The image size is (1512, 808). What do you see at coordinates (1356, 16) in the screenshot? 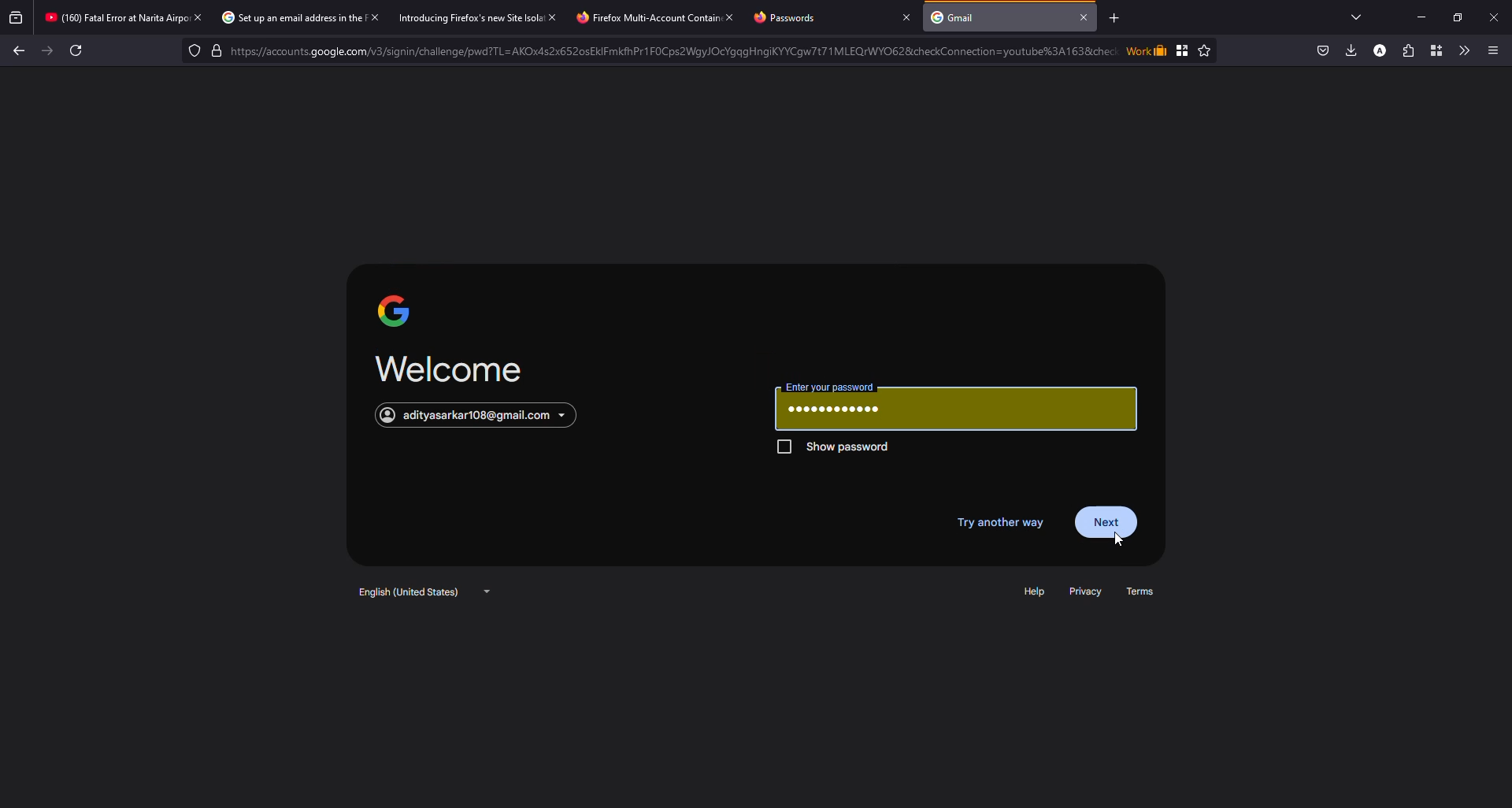
I see `tabs` at bounding box center [1356, 16].